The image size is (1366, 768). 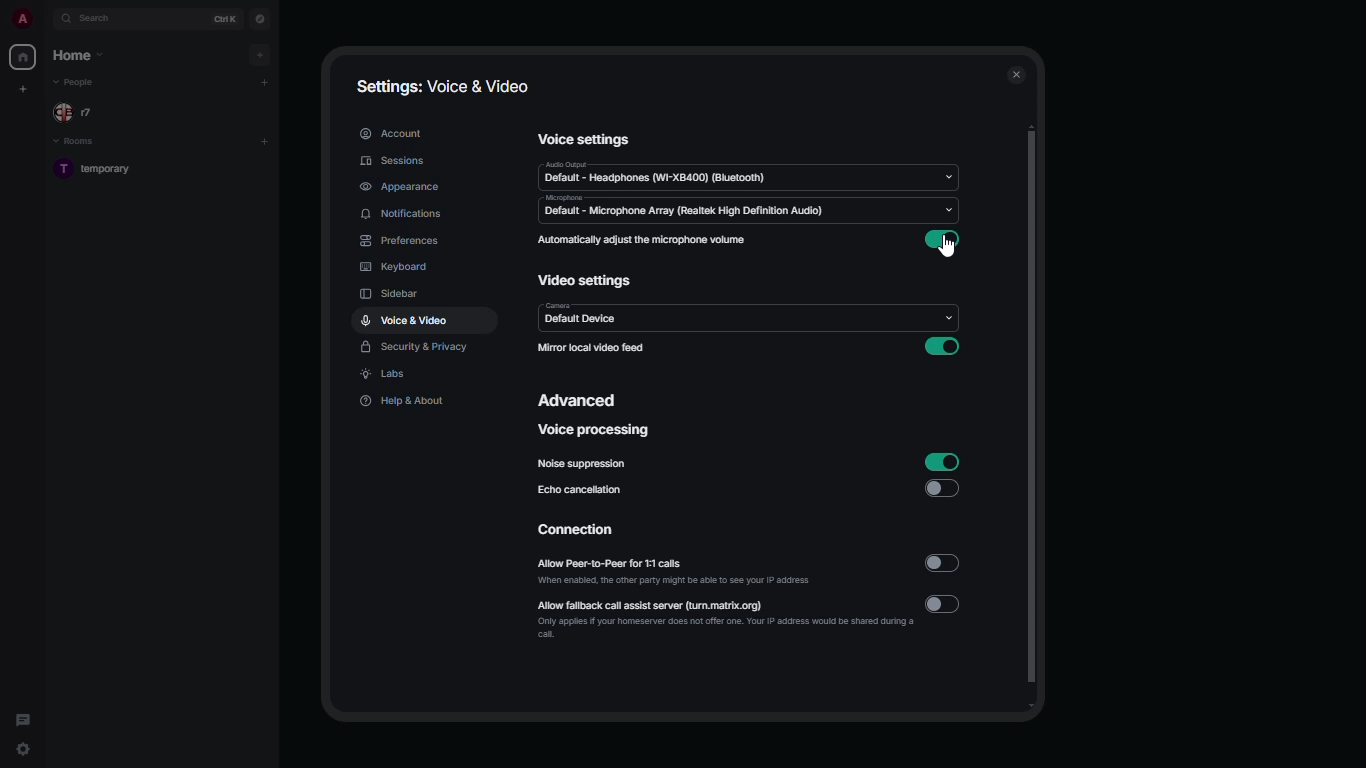 I want to click on navigator, so click(x=258, y=20).